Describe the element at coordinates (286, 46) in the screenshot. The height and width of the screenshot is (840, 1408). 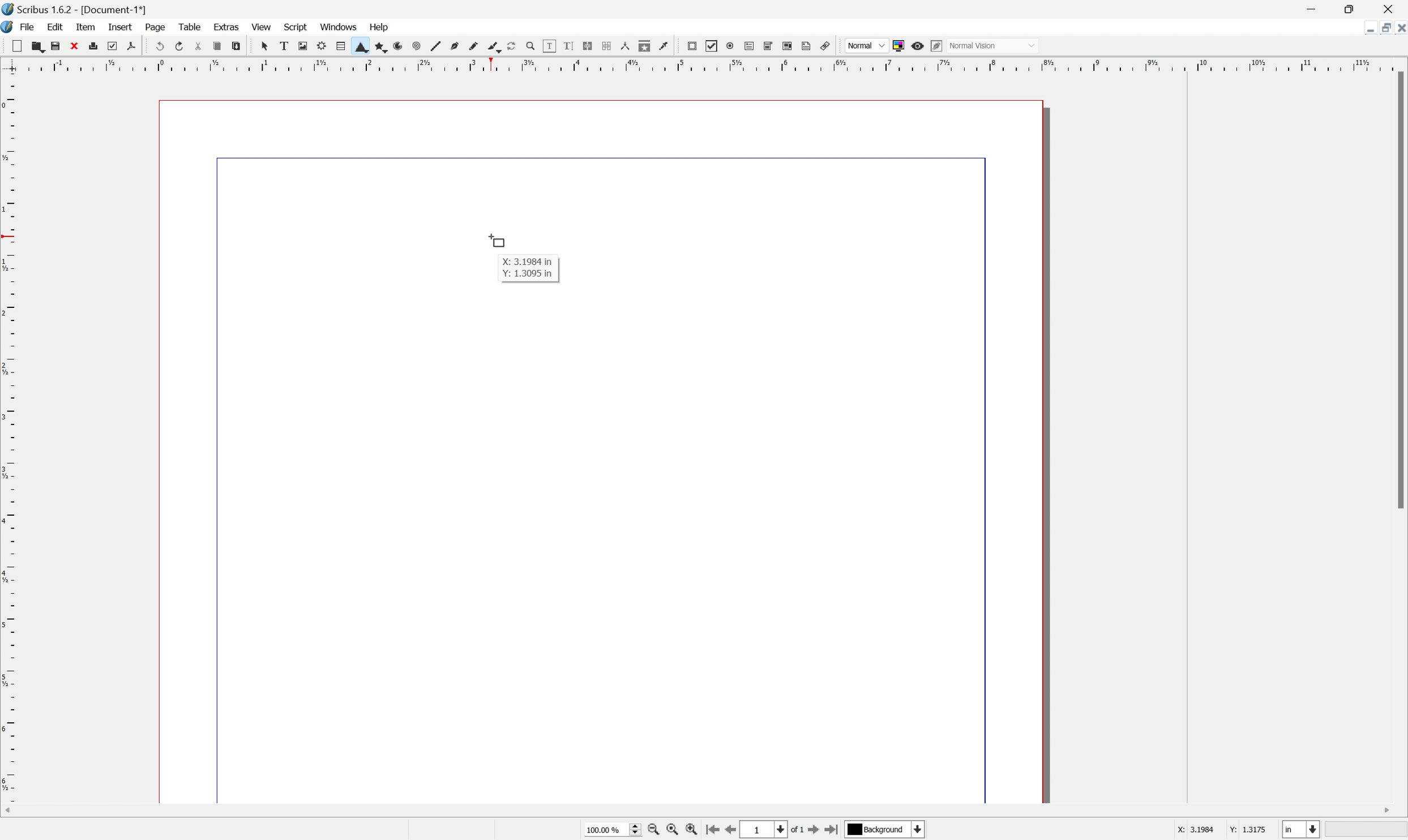
I see `Text frame` at that location.